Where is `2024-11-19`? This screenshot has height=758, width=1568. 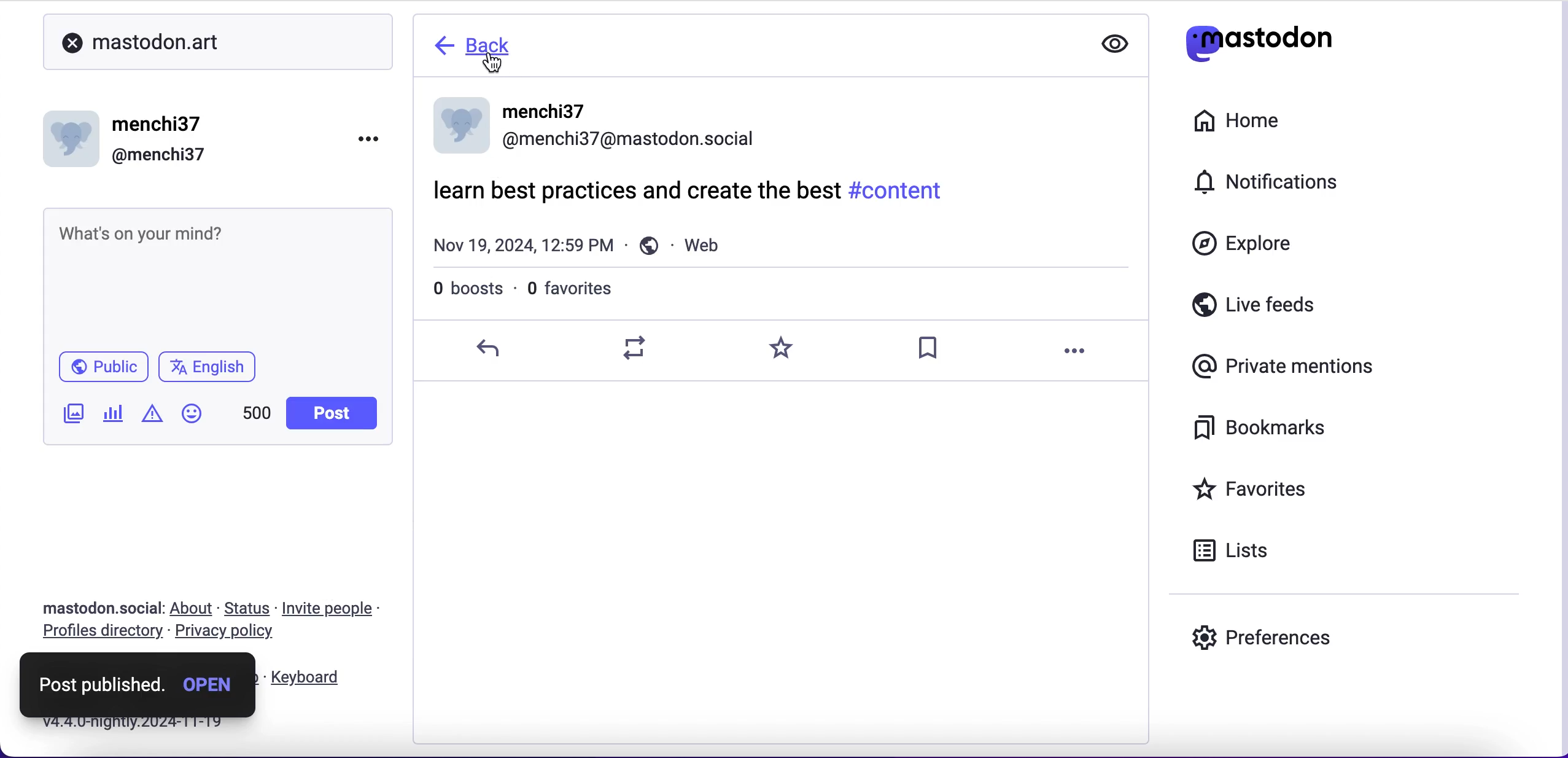
2024-11-19 is located at coordinates (166, 726).